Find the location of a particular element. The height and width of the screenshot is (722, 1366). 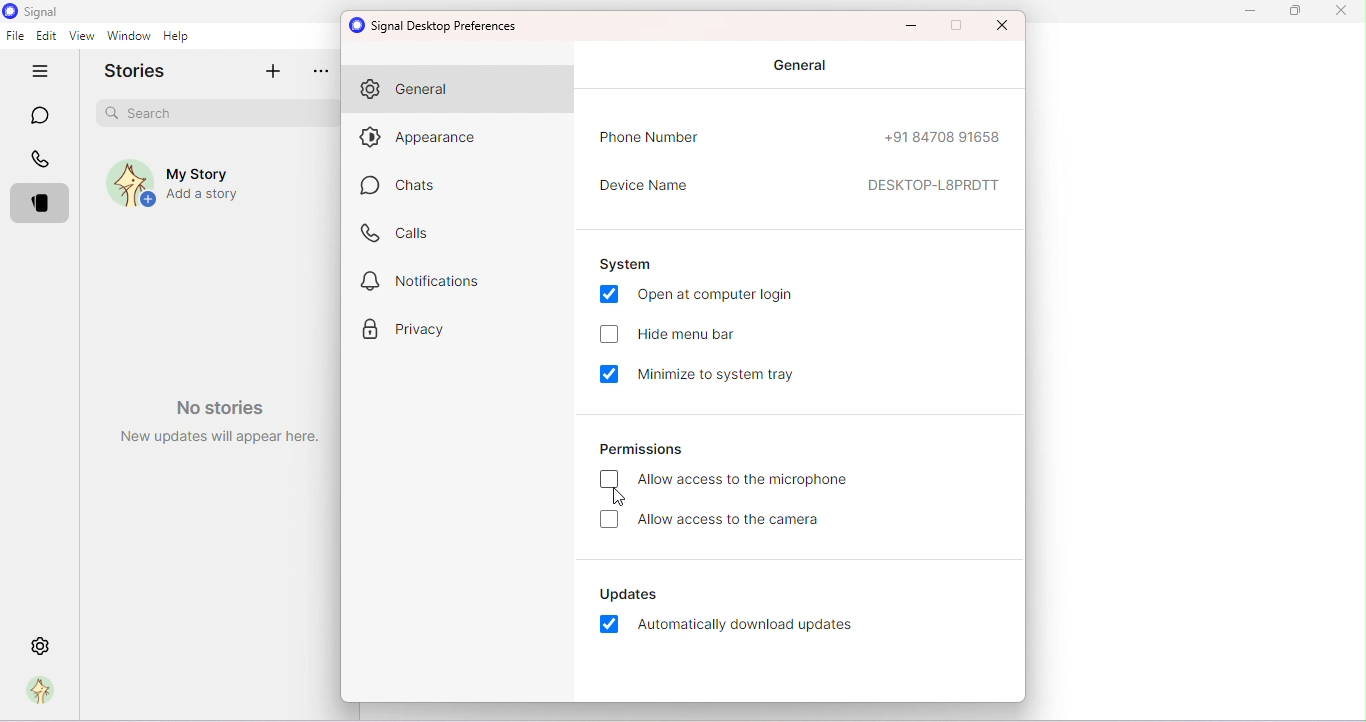

General is located at coordinates (405, 87).